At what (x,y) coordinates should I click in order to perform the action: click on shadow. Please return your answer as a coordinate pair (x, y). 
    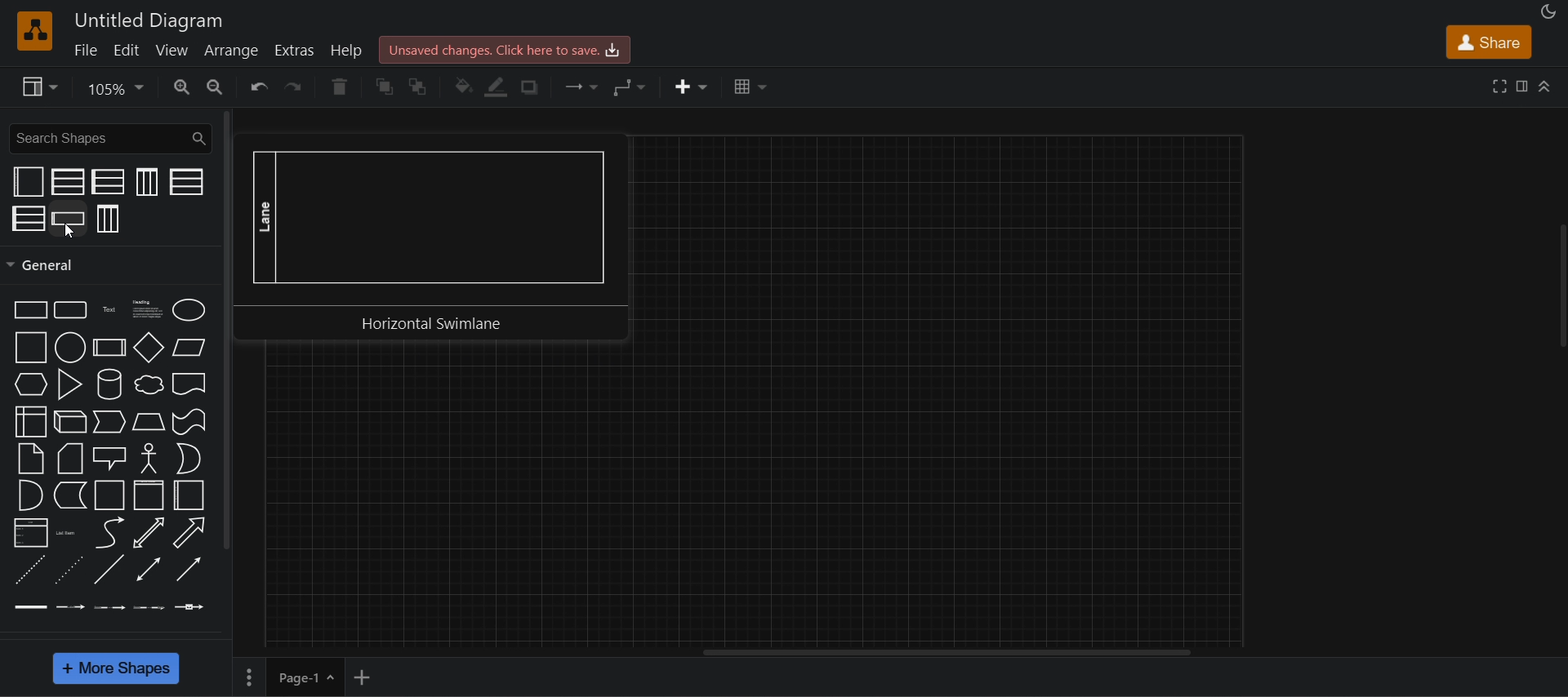
    Looking at the image, I should click on (535, 89).